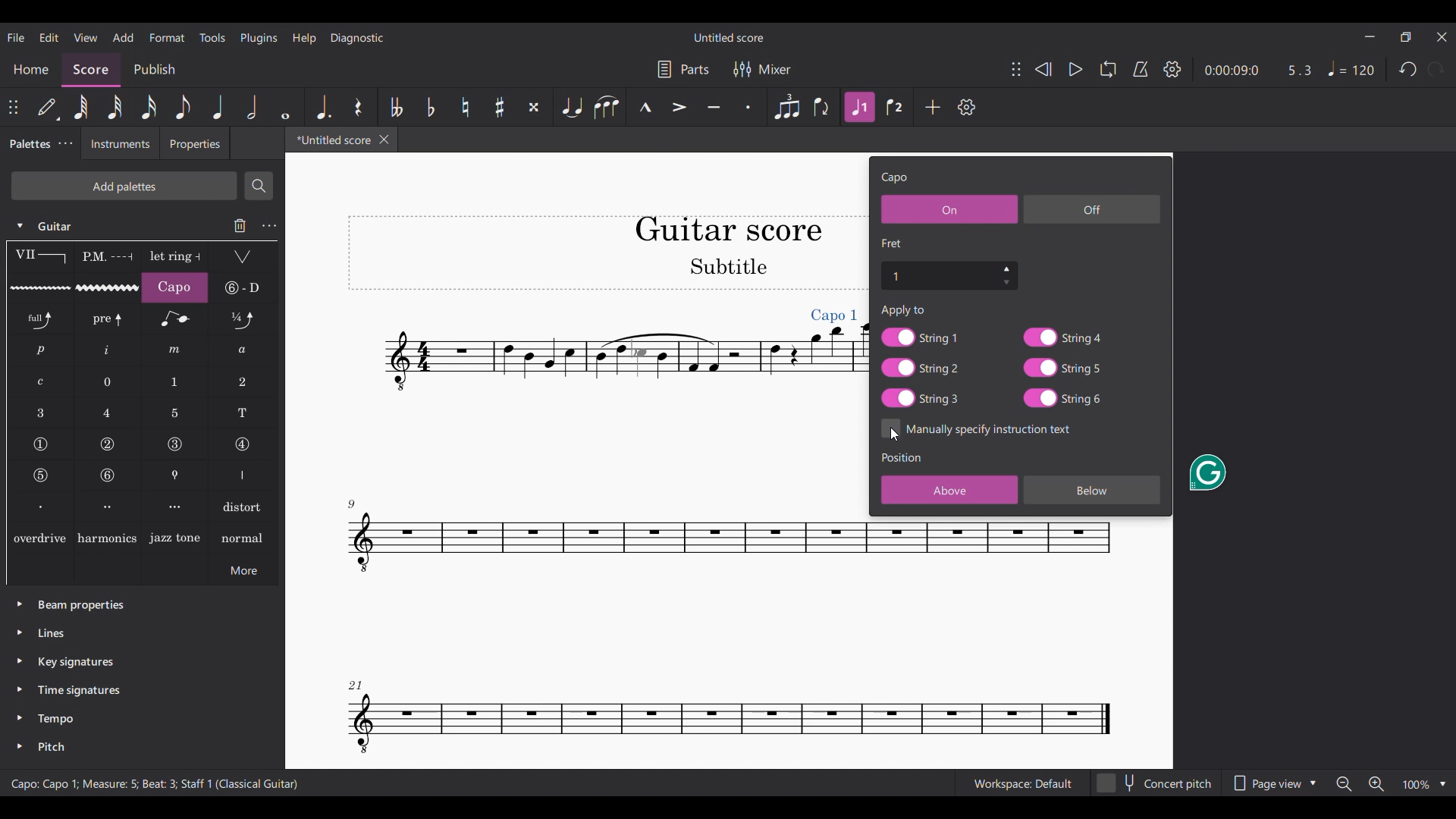 The width and height of the screenshot is (1456, 819). I want to click on Current ratio, so click(1300, 71).